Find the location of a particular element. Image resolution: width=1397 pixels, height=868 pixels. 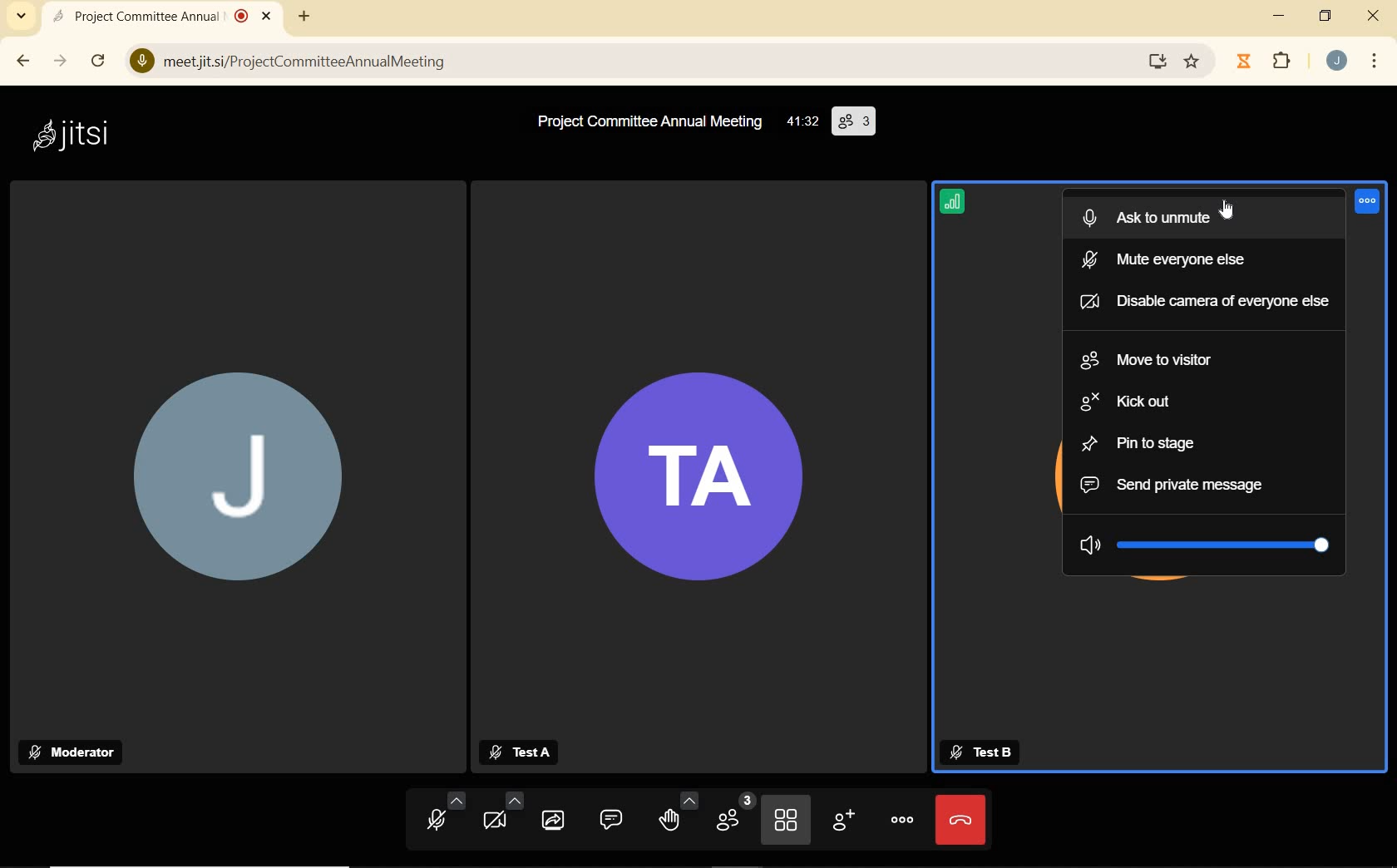

41:18 is located at coordinates (801, 123).